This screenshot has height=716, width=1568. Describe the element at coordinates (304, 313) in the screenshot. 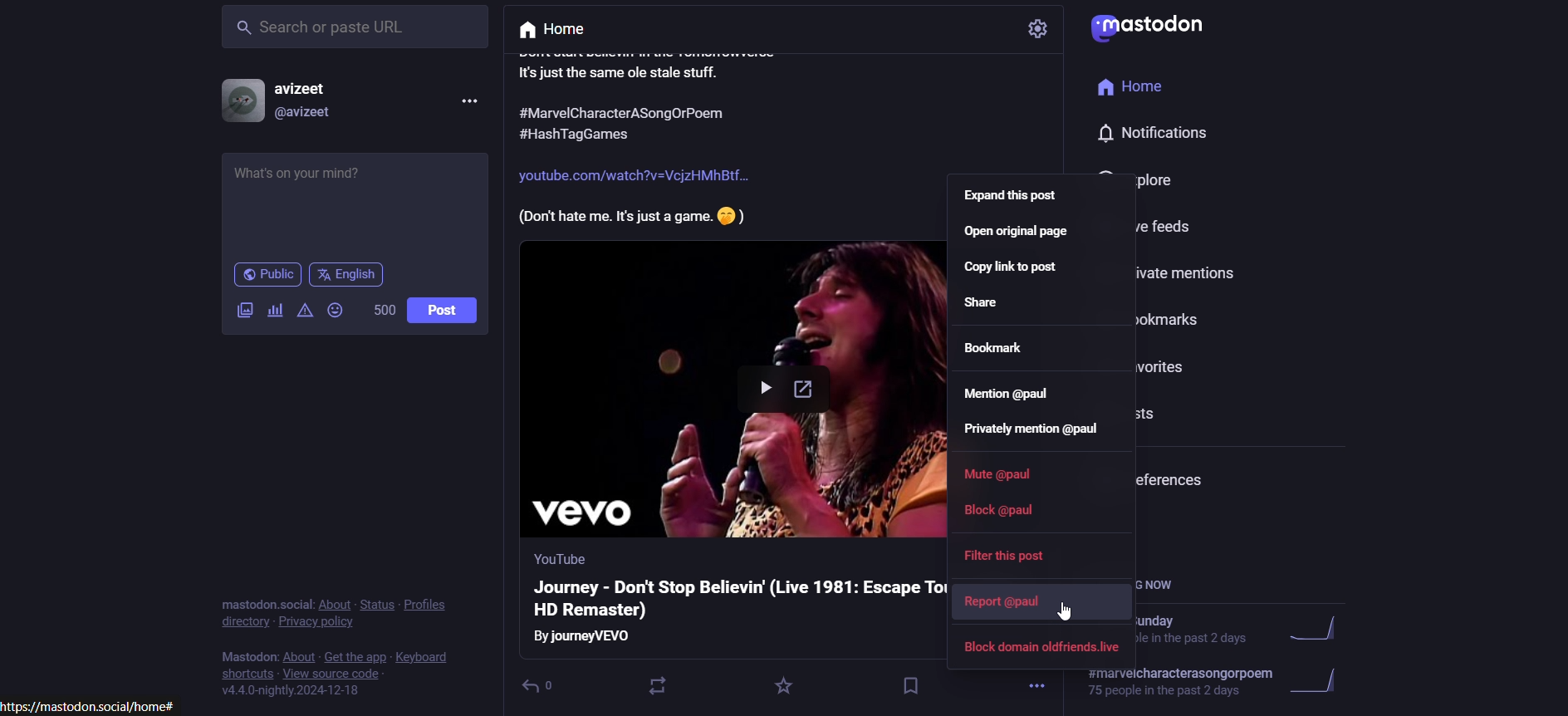

I see `content warning` at that location.